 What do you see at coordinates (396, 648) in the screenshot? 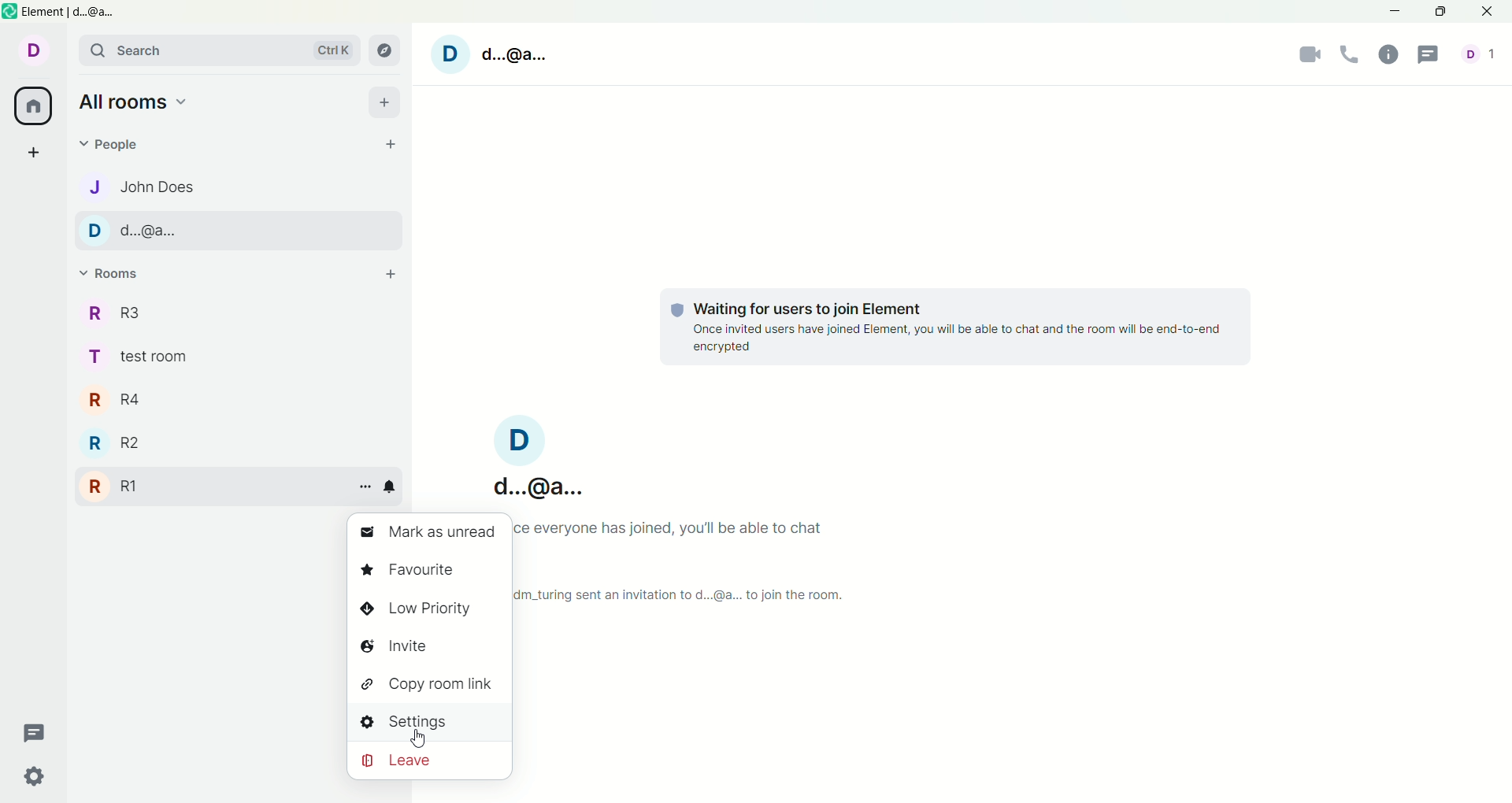
I see `invite` at bounding box center [396, 648].